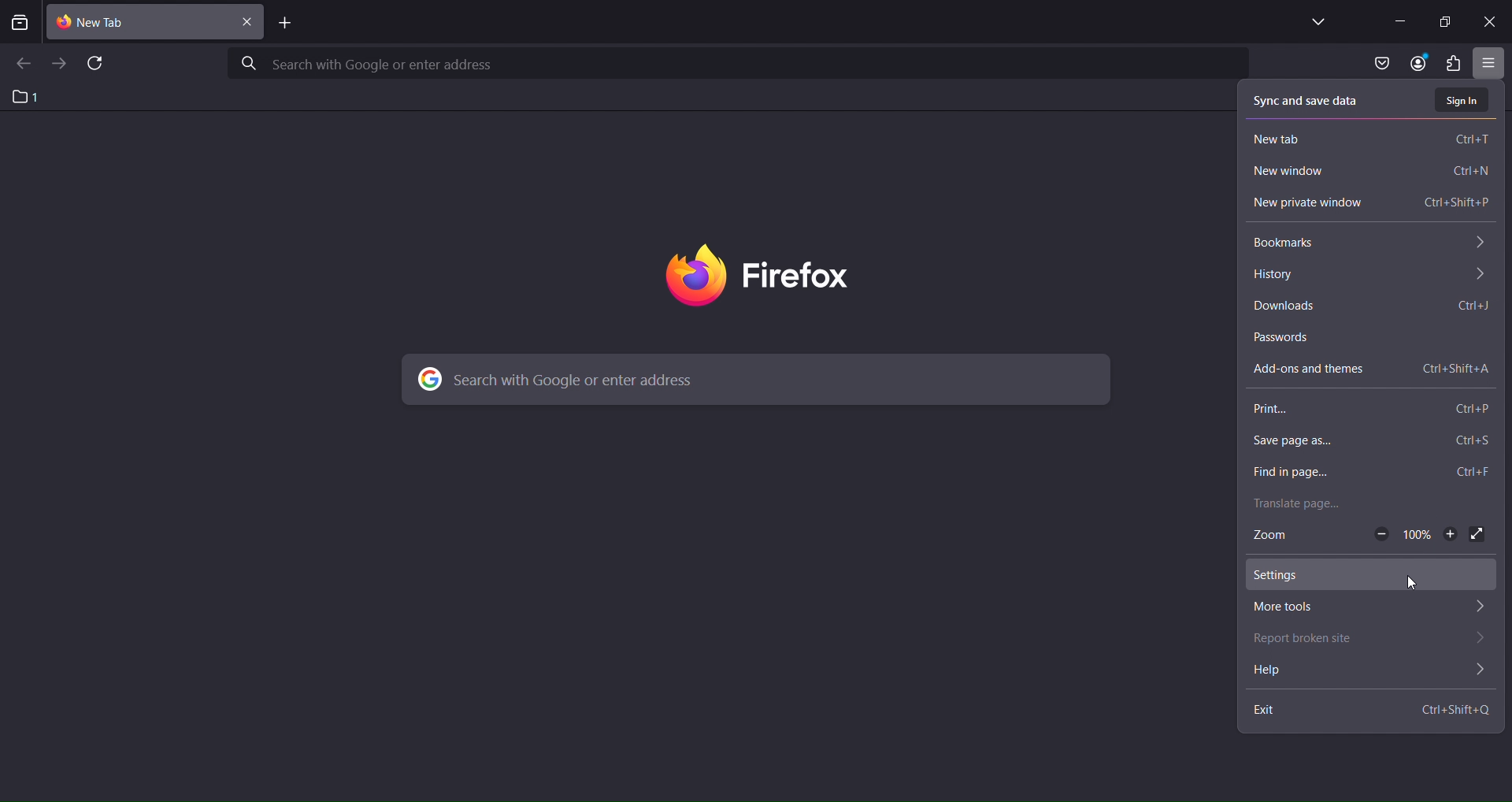  What do you see at coordinates (1466, 103) in the screenshot?
I see `sign in` at bounding box center [1466, 103].